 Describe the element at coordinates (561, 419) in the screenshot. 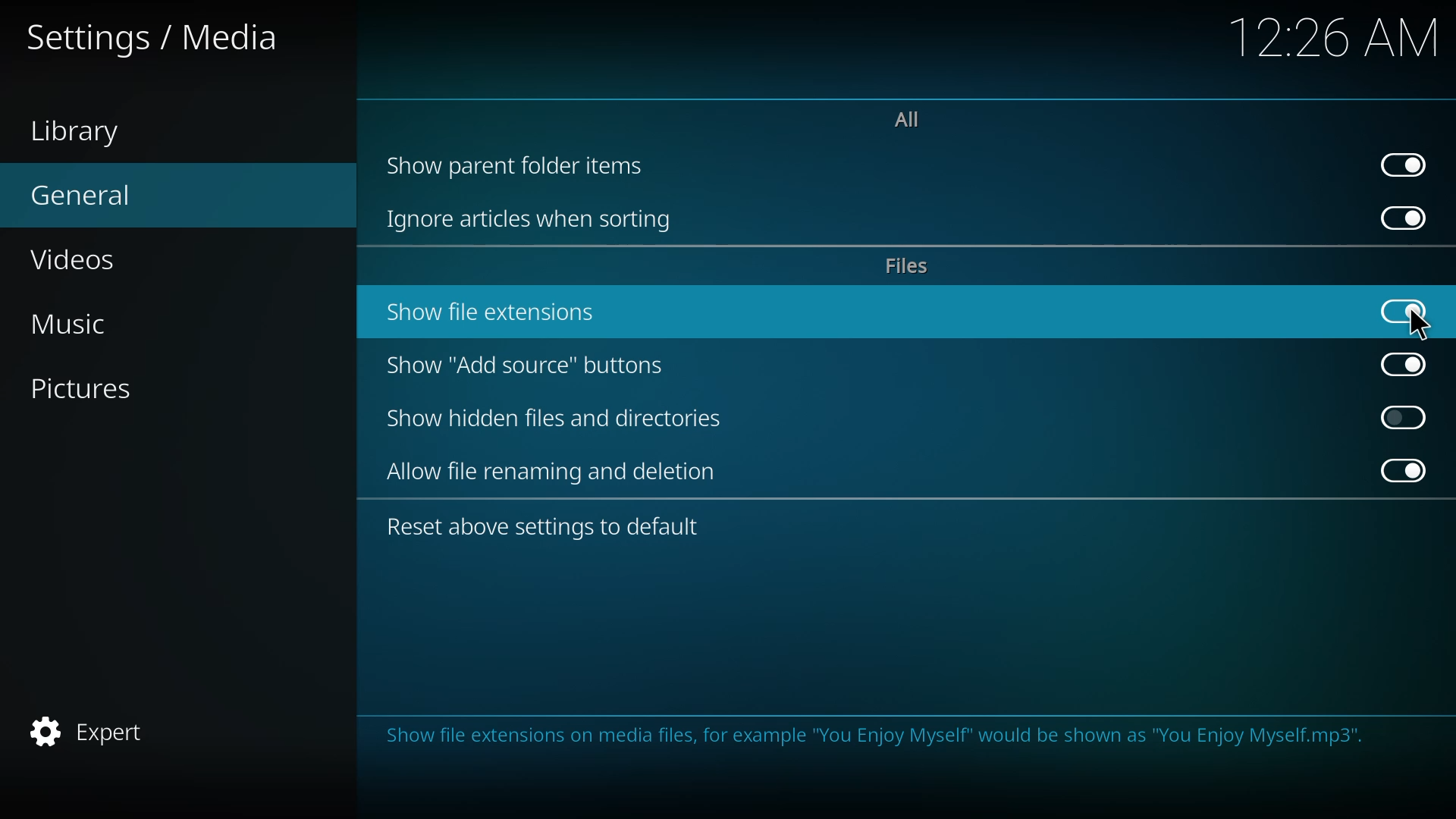

I see `show hidden files and directories` at that location.